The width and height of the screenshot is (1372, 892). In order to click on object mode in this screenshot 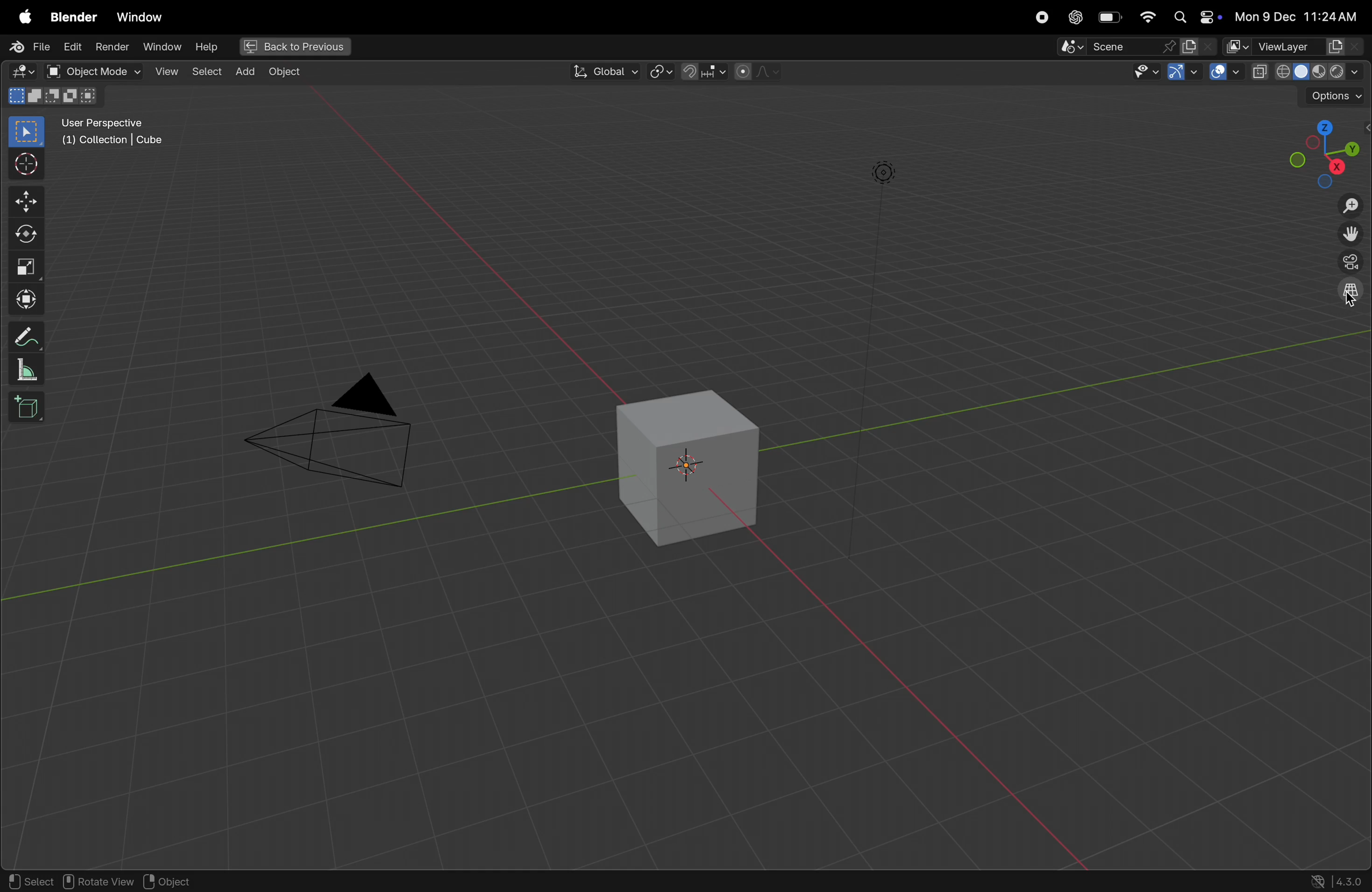, I will do `click(89, 70)`.